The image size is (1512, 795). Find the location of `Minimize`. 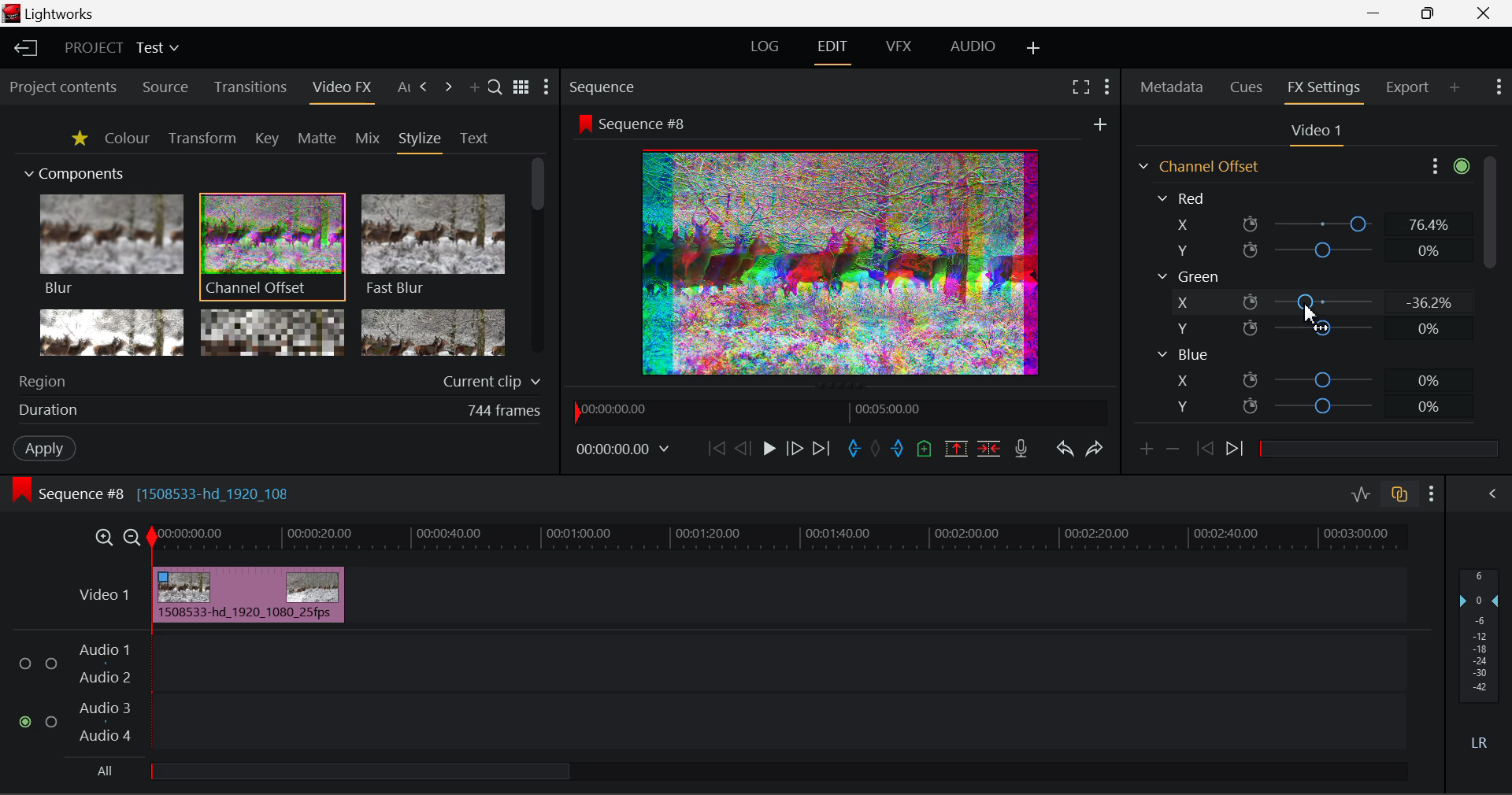

Minimize is located at coordinates (1431, 13).